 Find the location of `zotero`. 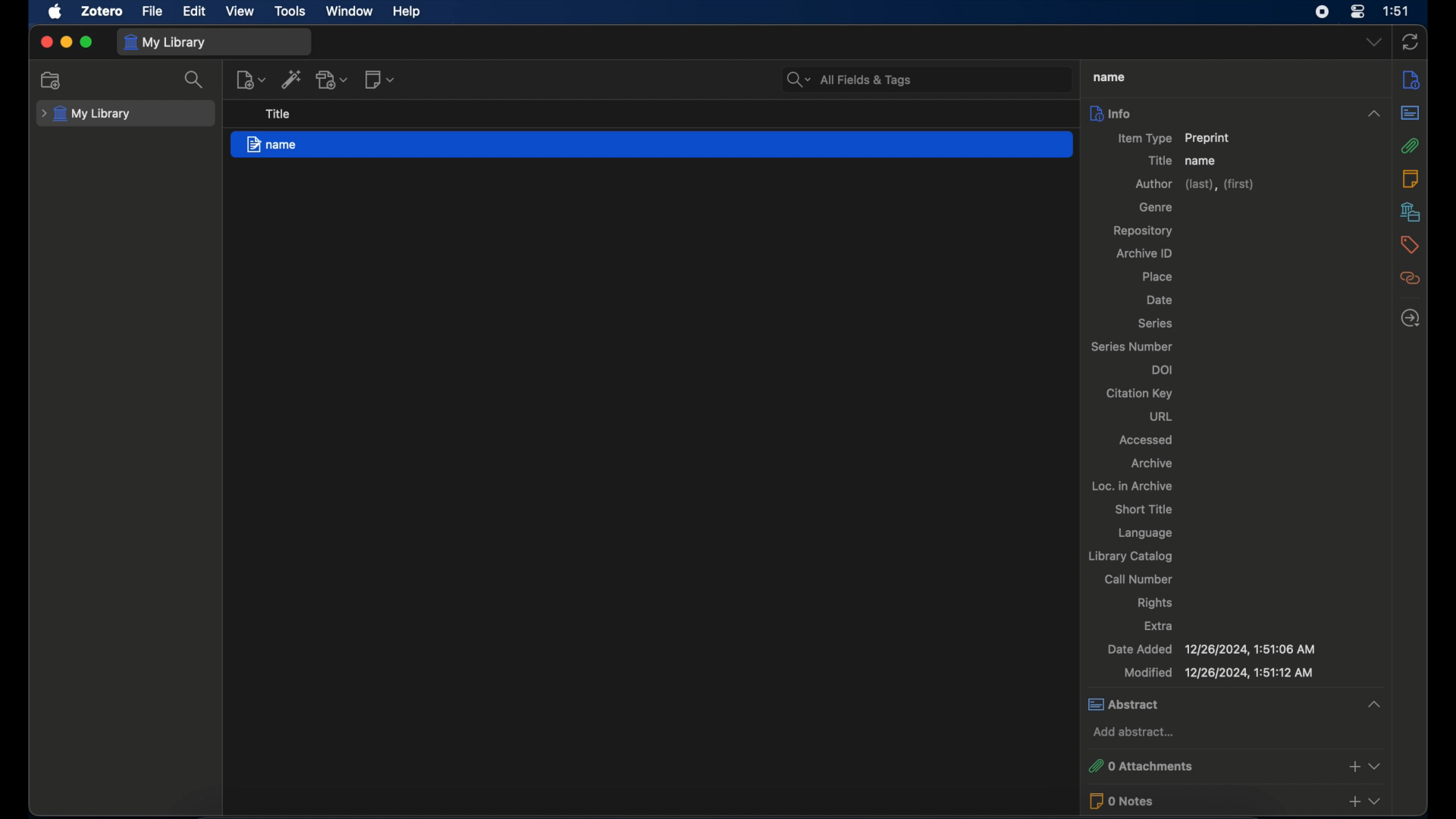

zotero is located at coordinates (102, 11).